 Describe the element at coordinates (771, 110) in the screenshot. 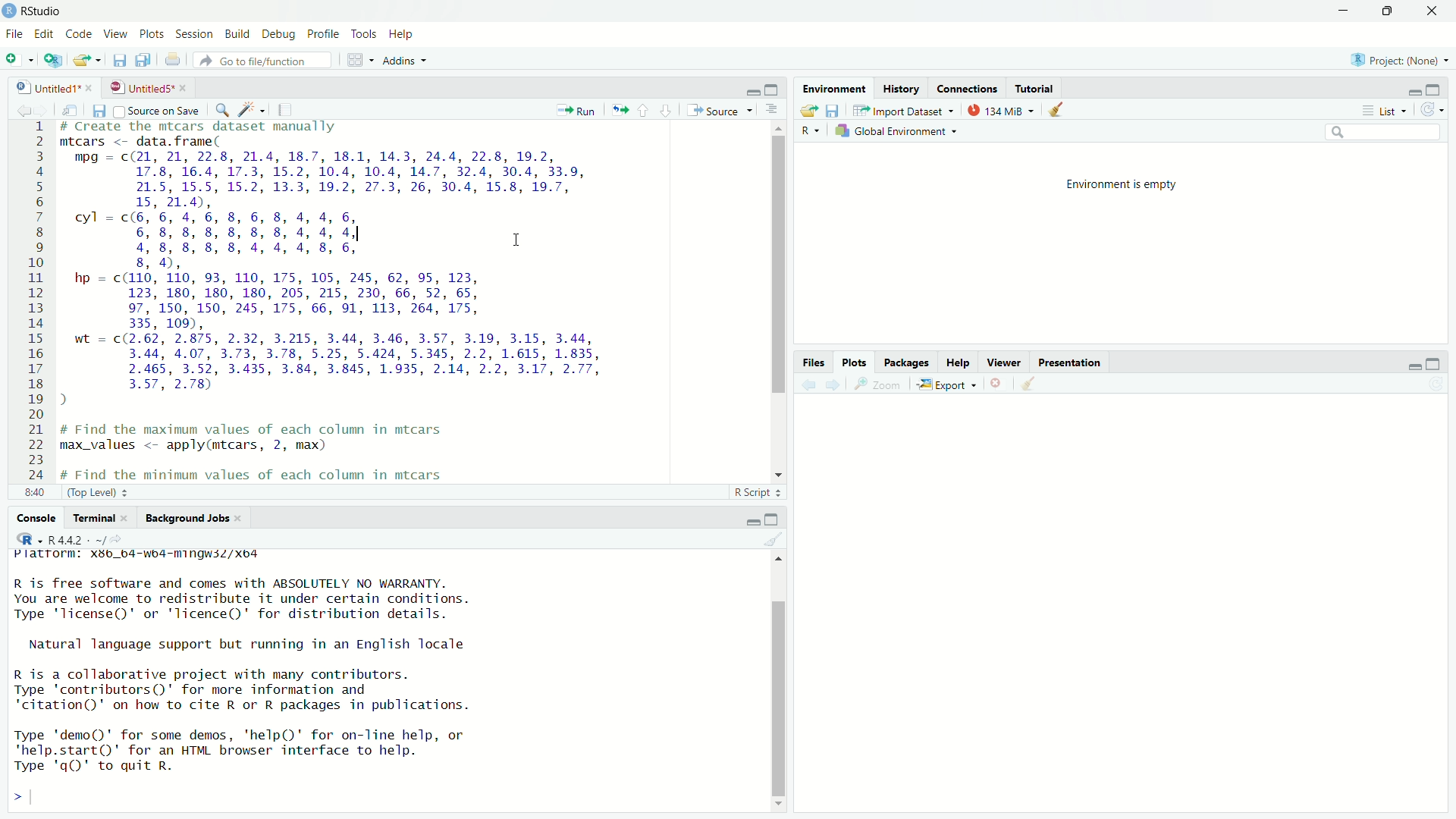

I see `options` at that location.